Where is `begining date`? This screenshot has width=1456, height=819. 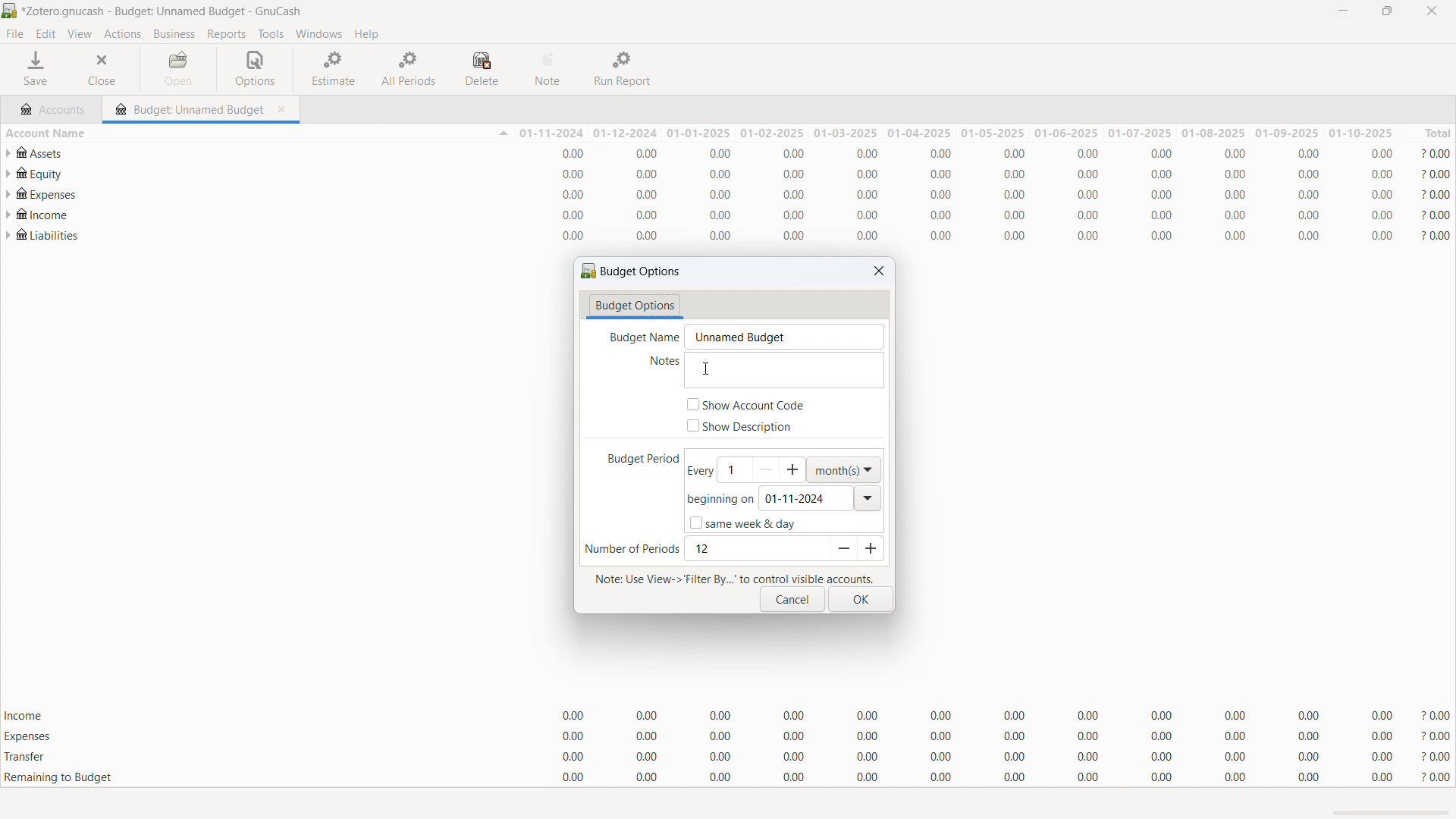 begining date is located at coordinates (806, 498).